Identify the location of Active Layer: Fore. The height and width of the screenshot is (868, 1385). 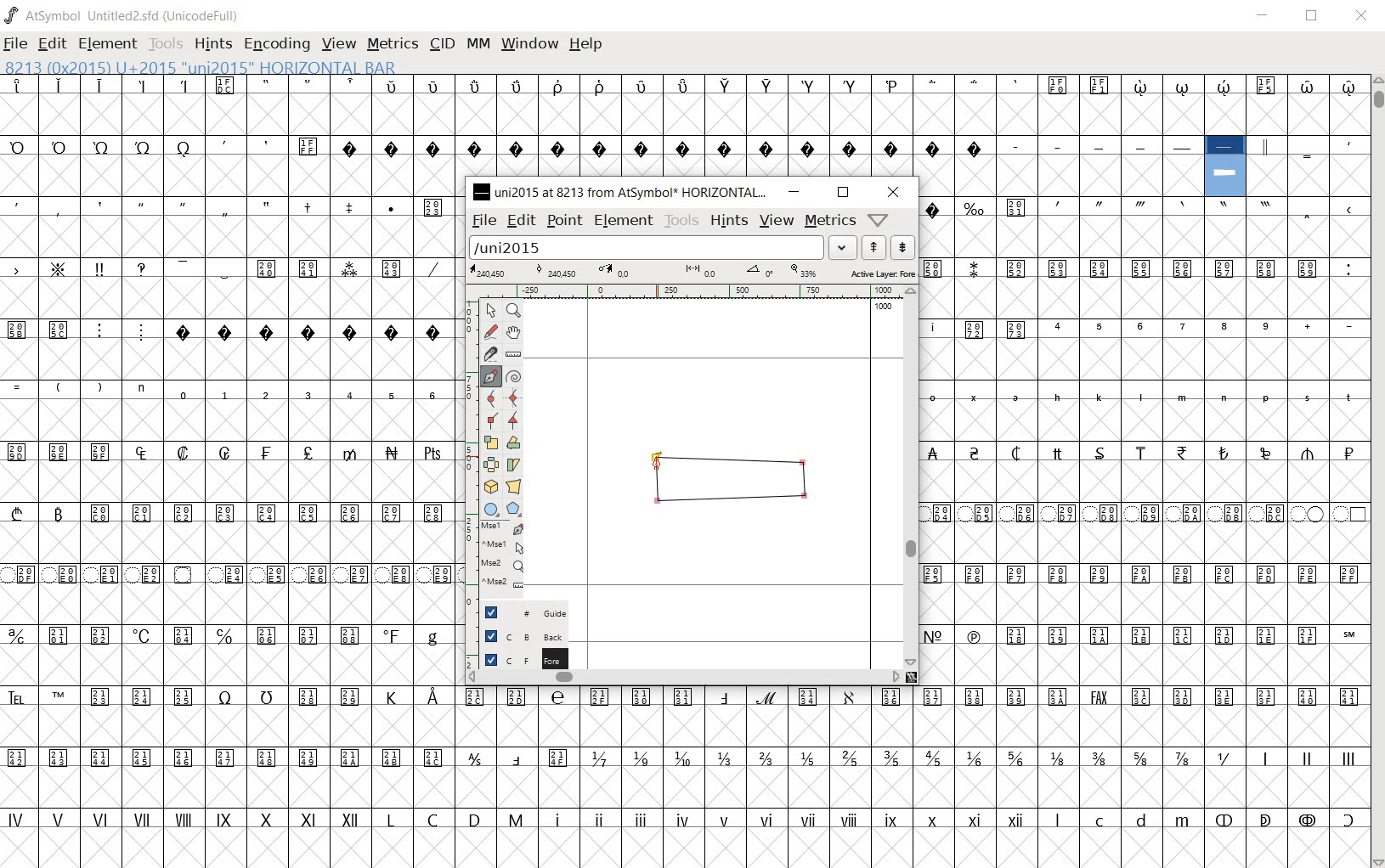
(692, 273).